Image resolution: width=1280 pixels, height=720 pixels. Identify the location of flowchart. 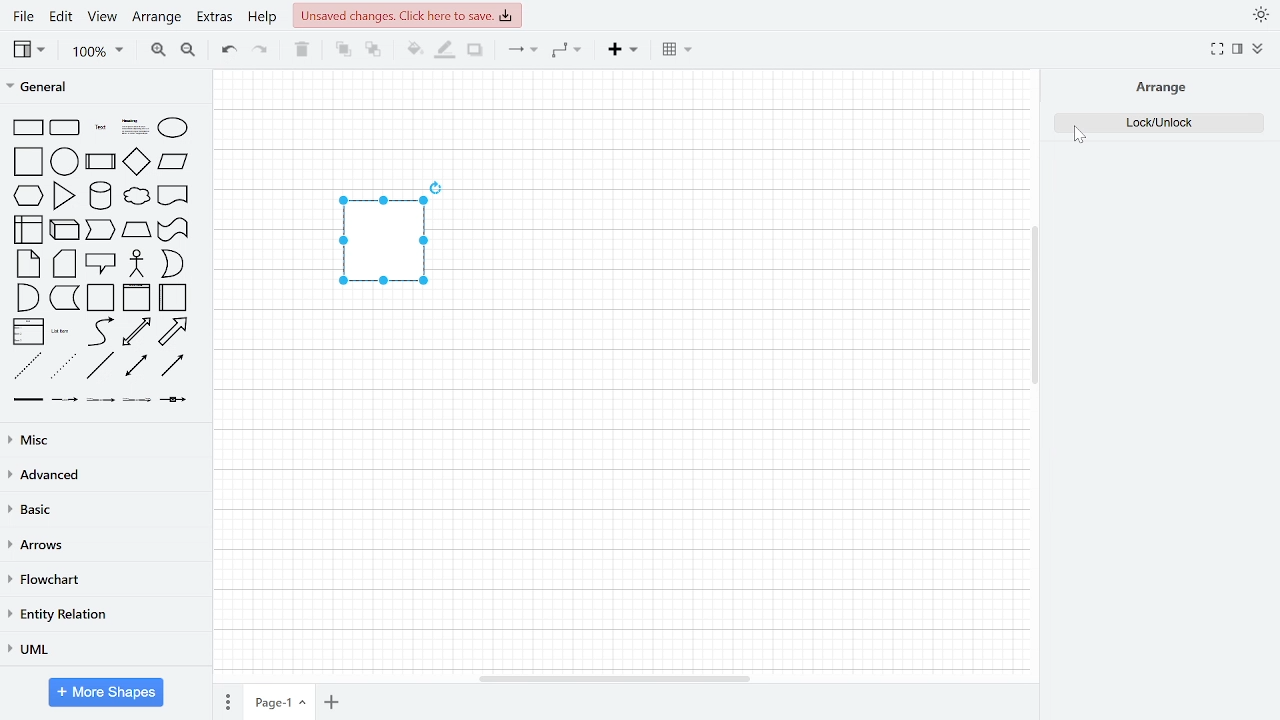
(99, 579).